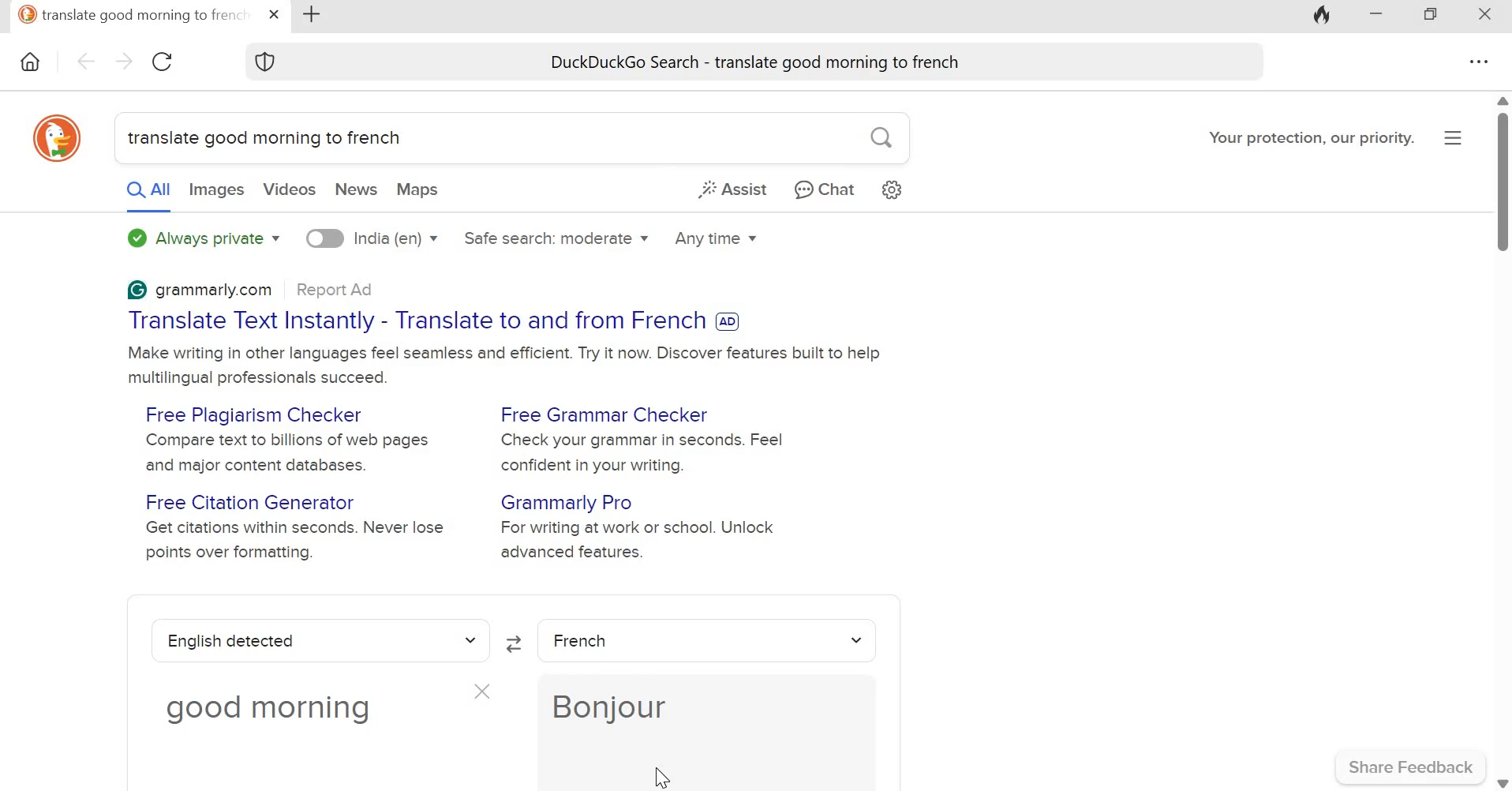 This screenshot has width=1512, height=791. Describe the element at coordinates (271, 710) in the screenshot. I see `good morning` at that location.